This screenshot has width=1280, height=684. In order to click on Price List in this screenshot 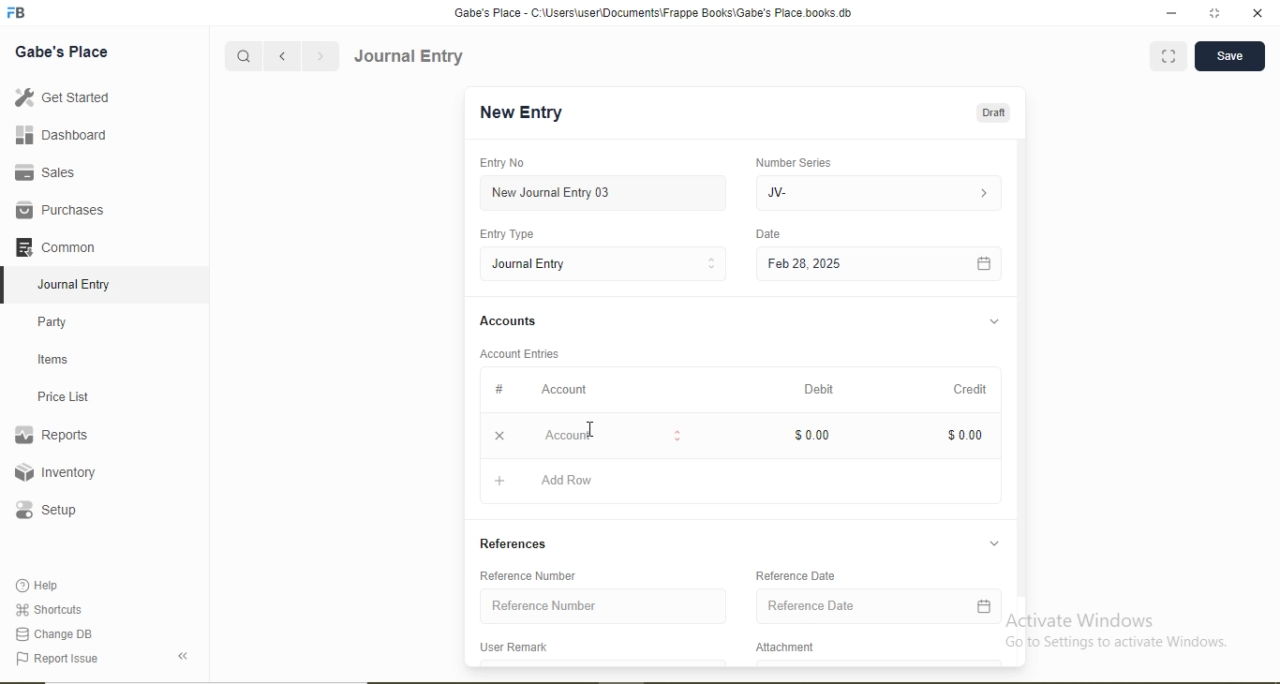, I will do `click(62, 397)`.